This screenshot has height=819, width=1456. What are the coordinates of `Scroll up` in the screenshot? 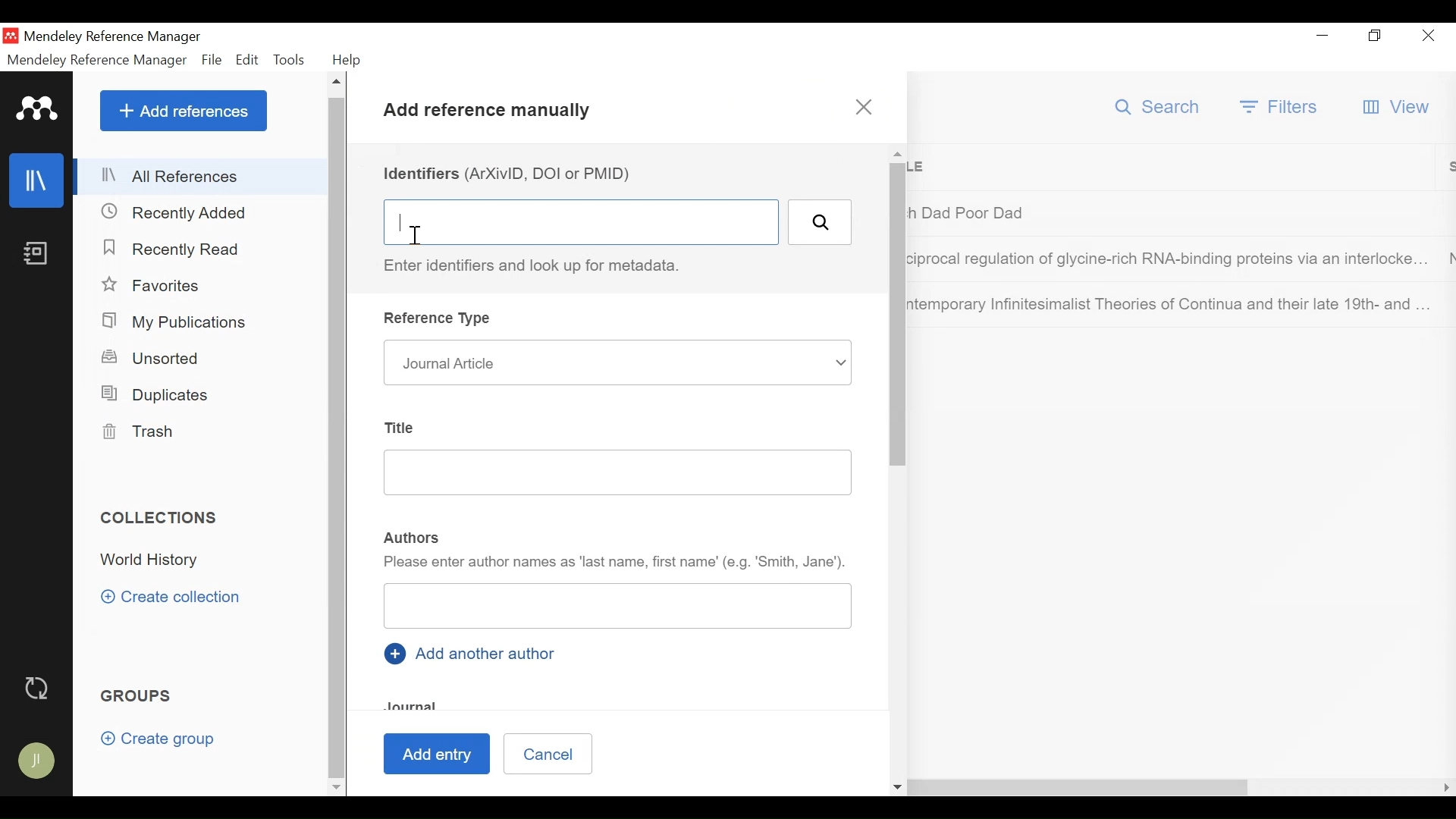 It's located at (897, 153).